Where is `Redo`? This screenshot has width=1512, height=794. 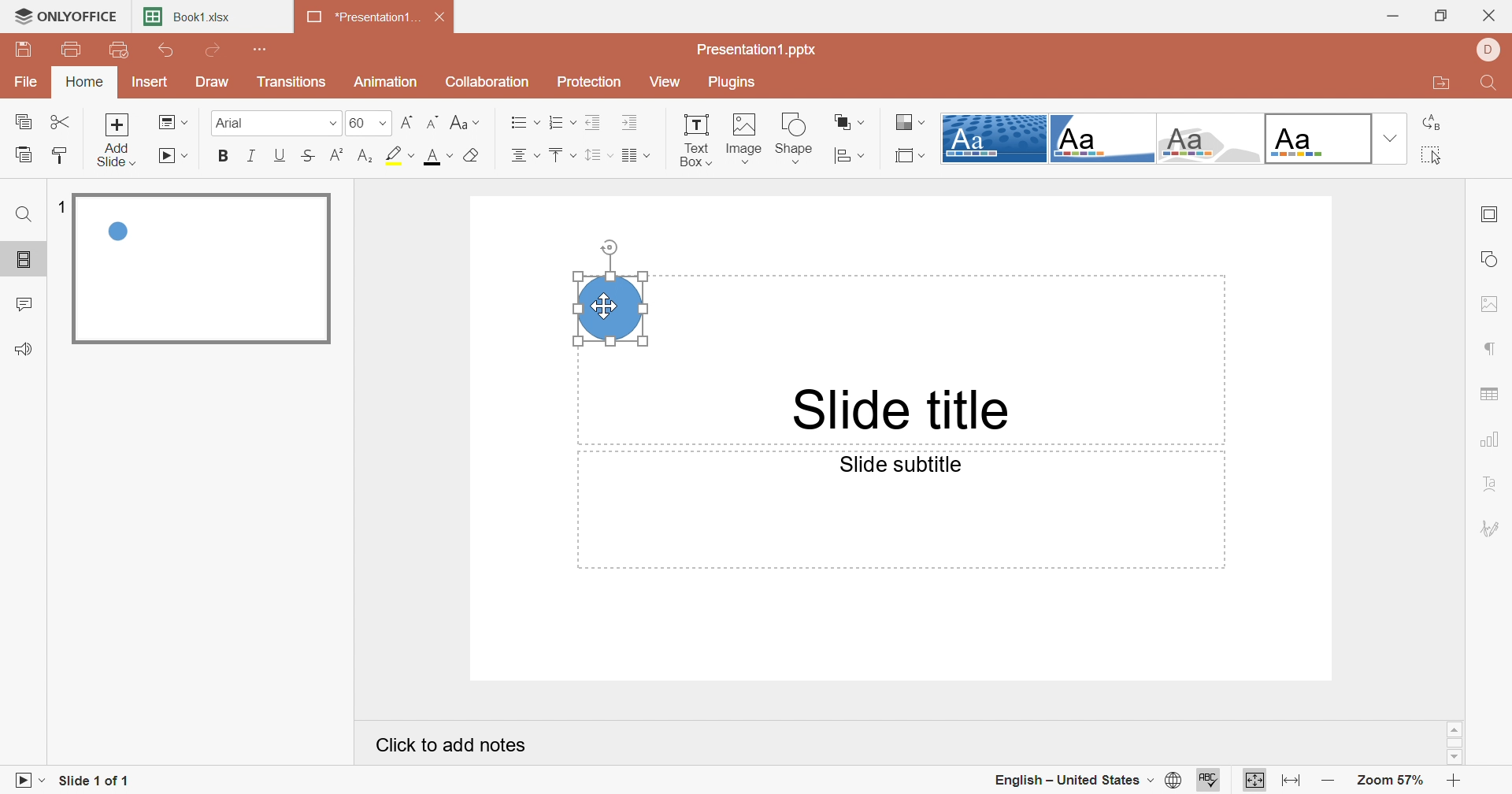
Redo is located at coordinates (215, 50).